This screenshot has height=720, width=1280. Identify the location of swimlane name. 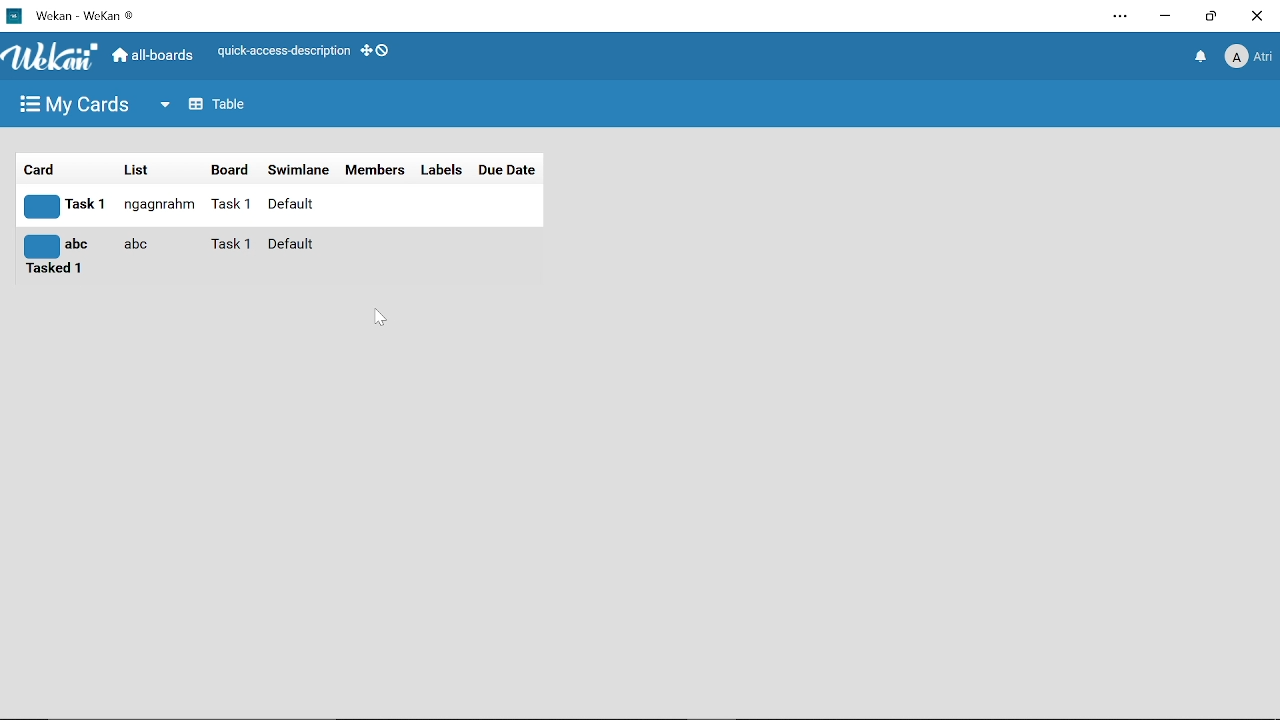
(291, 245).